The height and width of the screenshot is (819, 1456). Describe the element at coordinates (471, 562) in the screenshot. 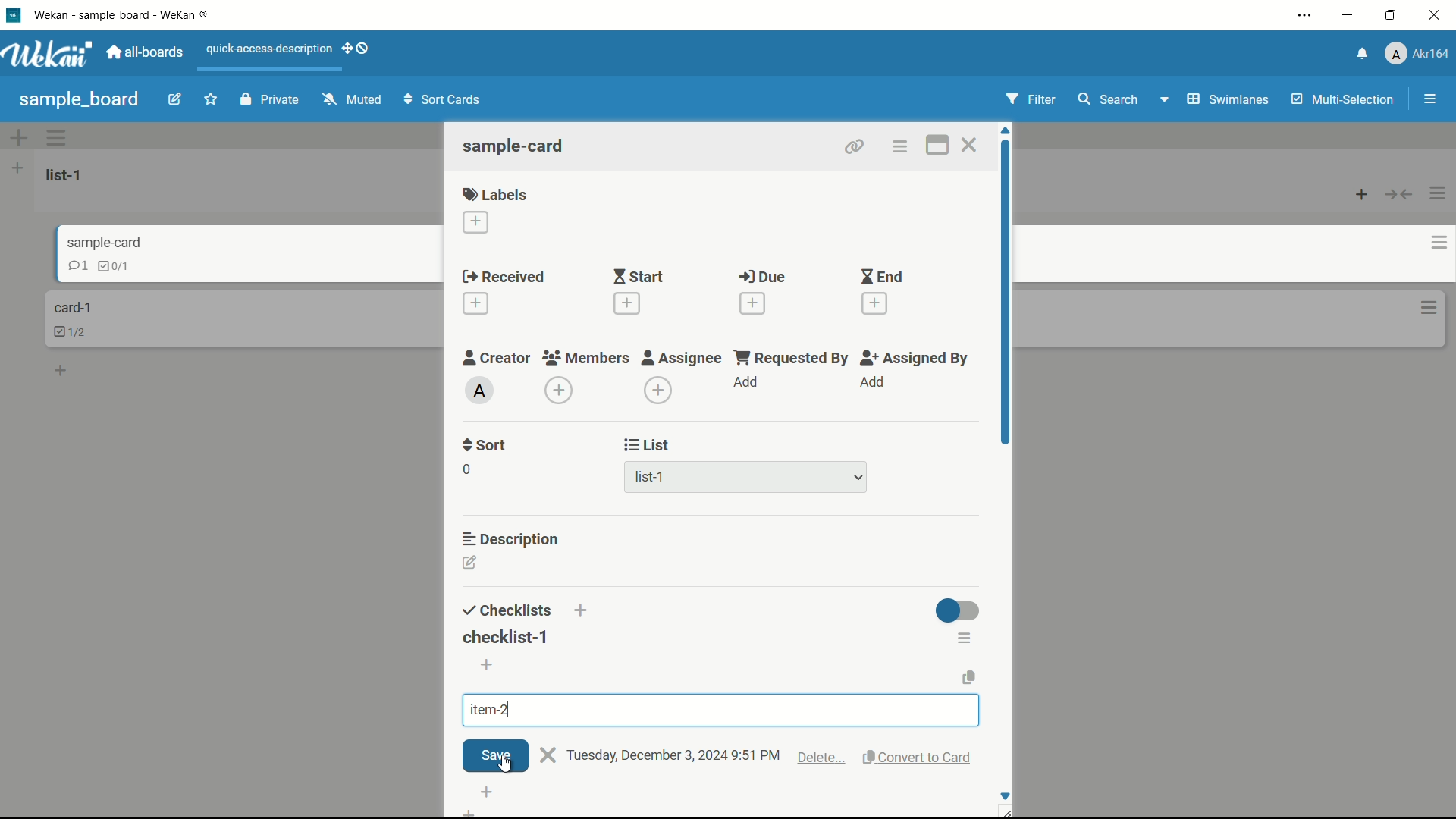

I see `edit description` at that location.